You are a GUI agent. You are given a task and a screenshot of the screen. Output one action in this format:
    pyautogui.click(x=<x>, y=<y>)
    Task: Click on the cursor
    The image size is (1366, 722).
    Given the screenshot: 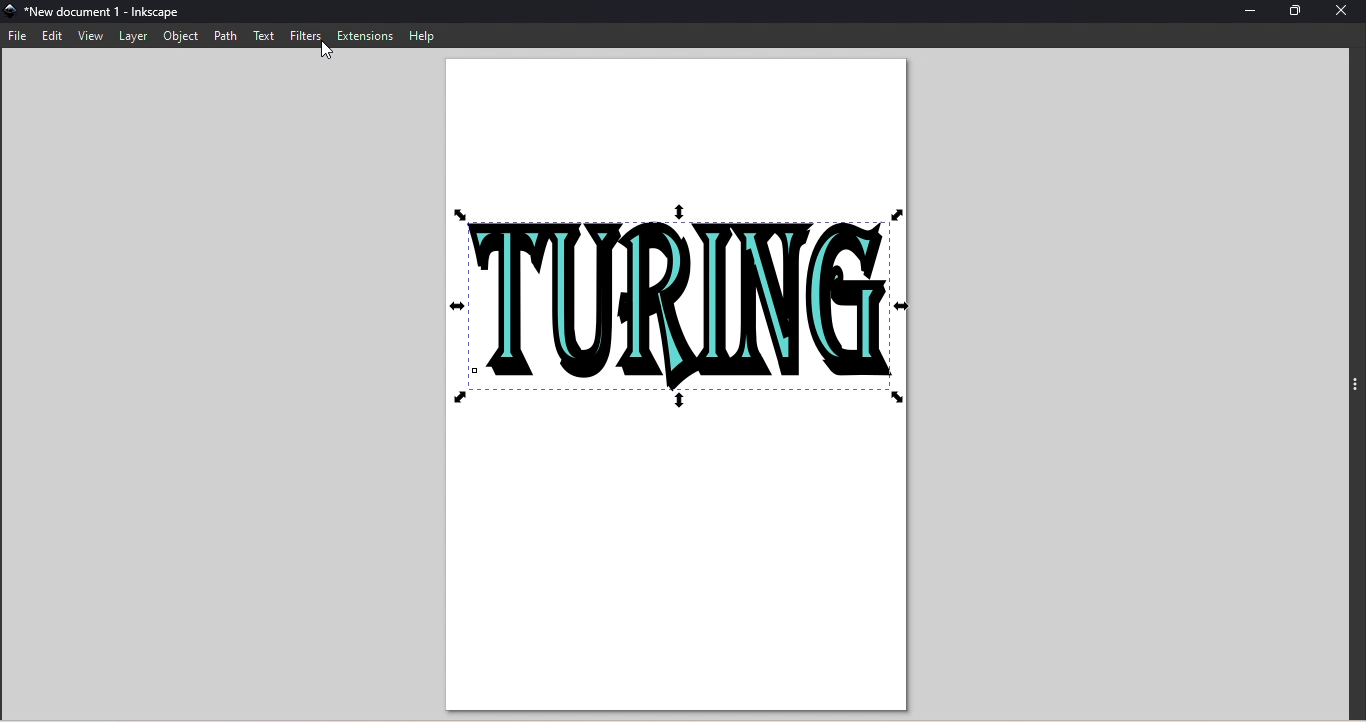 What is the action you would take?
    pyautogui.click(x=333, y=53)
    